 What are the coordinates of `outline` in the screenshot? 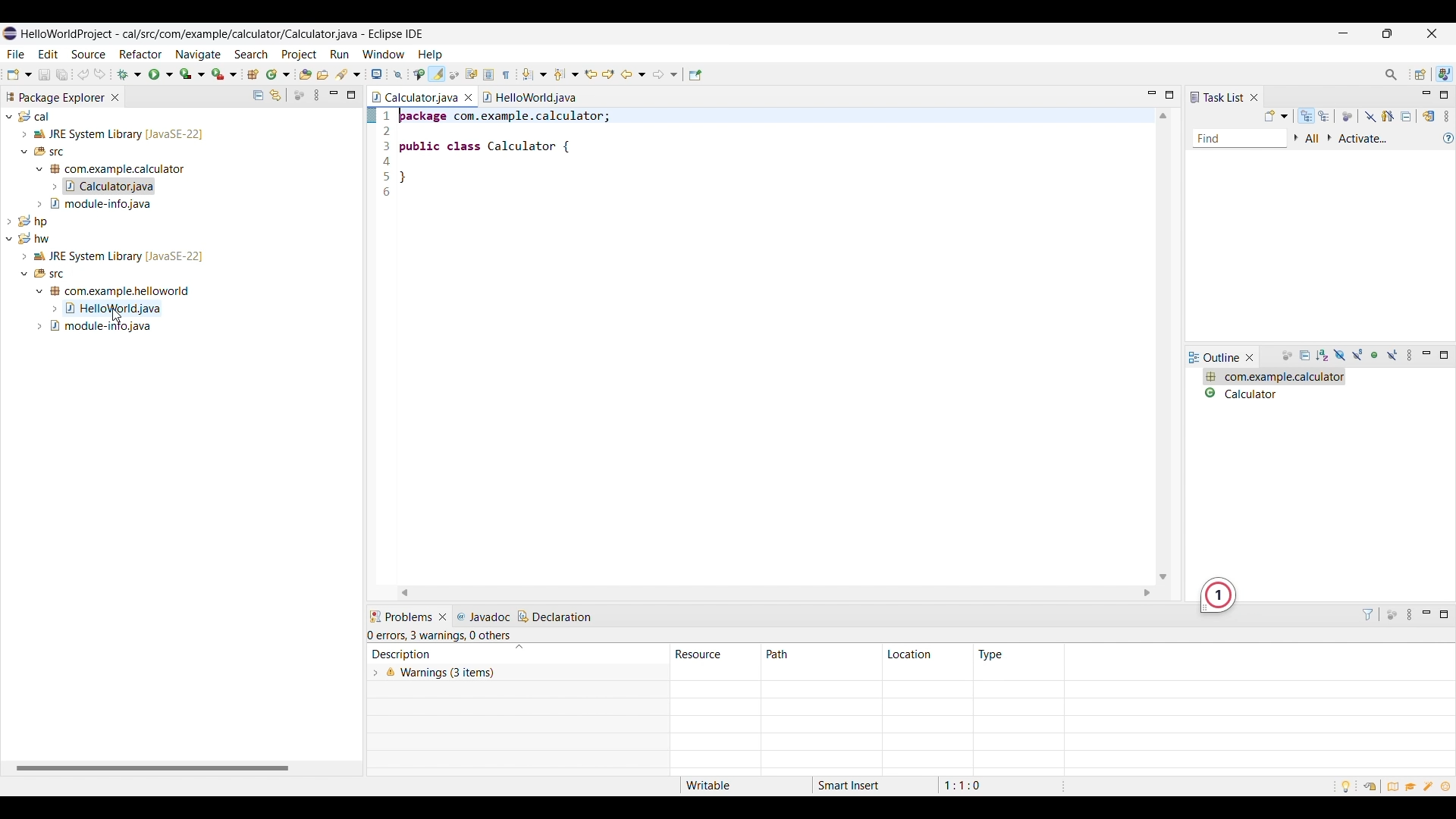 It's located at (1215, 358).